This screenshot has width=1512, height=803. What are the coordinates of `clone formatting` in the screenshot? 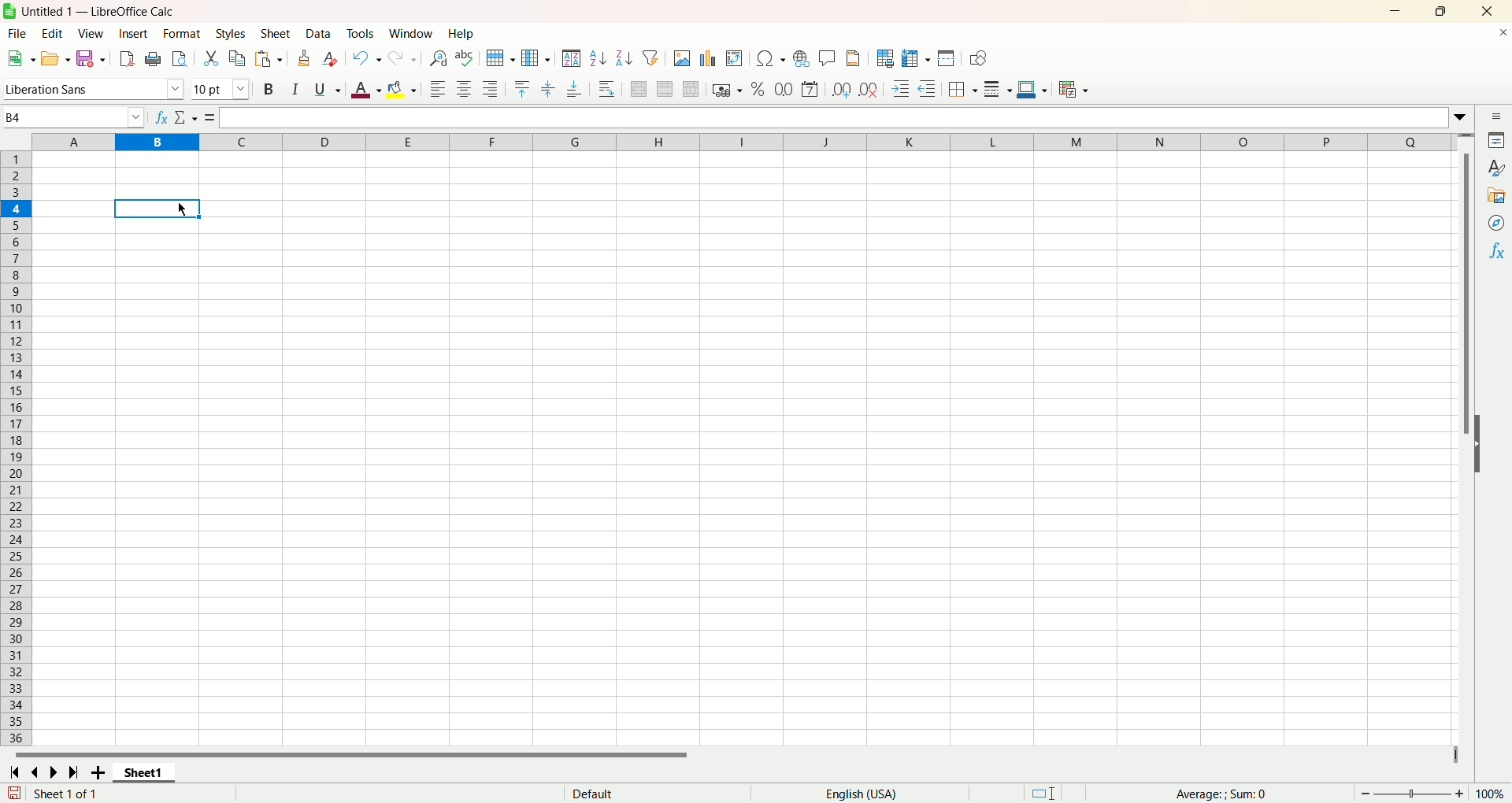 It's located at (306, 58).